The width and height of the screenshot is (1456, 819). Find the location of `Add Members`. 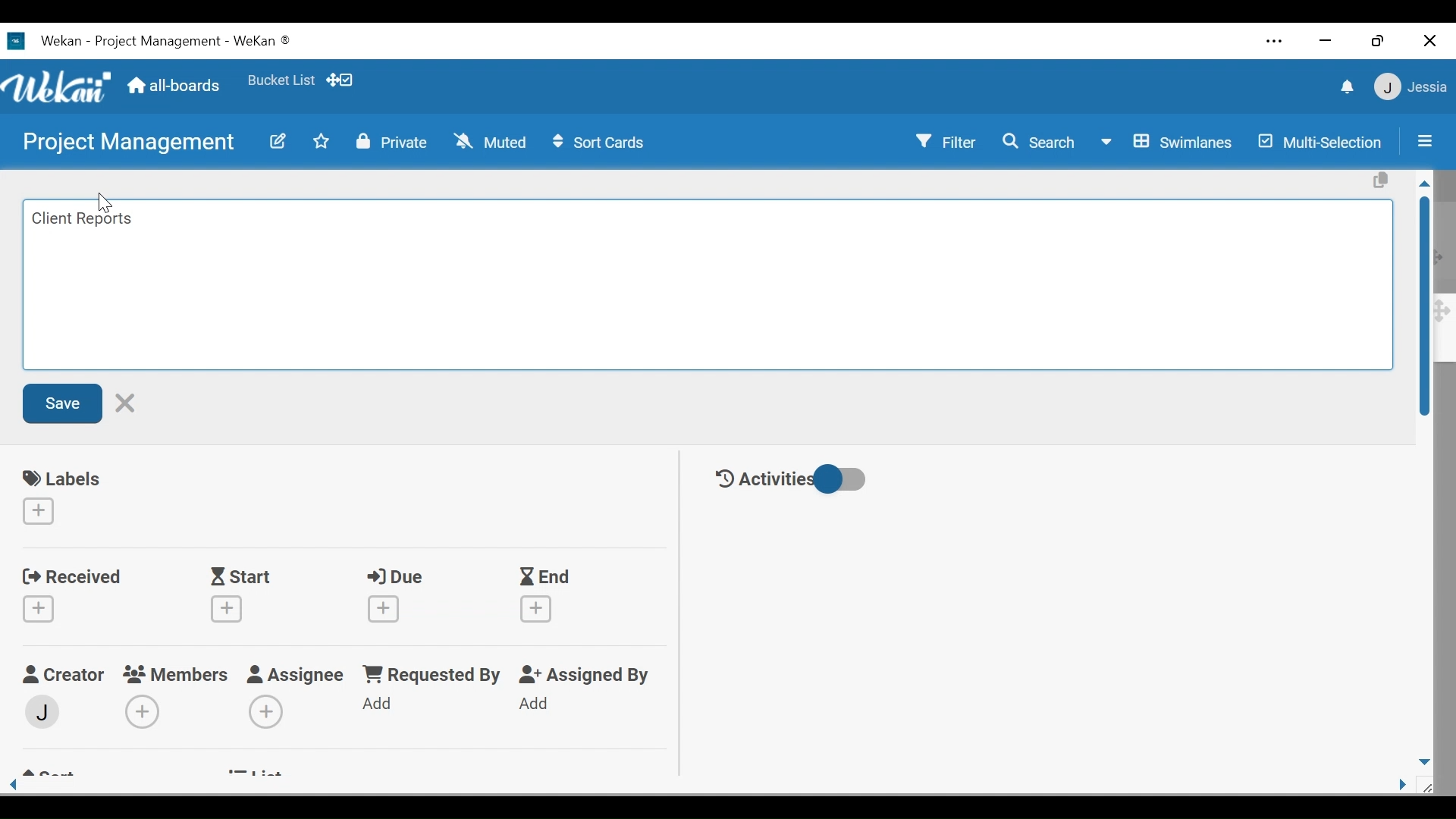

Add Members is located at coordinates (143, 712).